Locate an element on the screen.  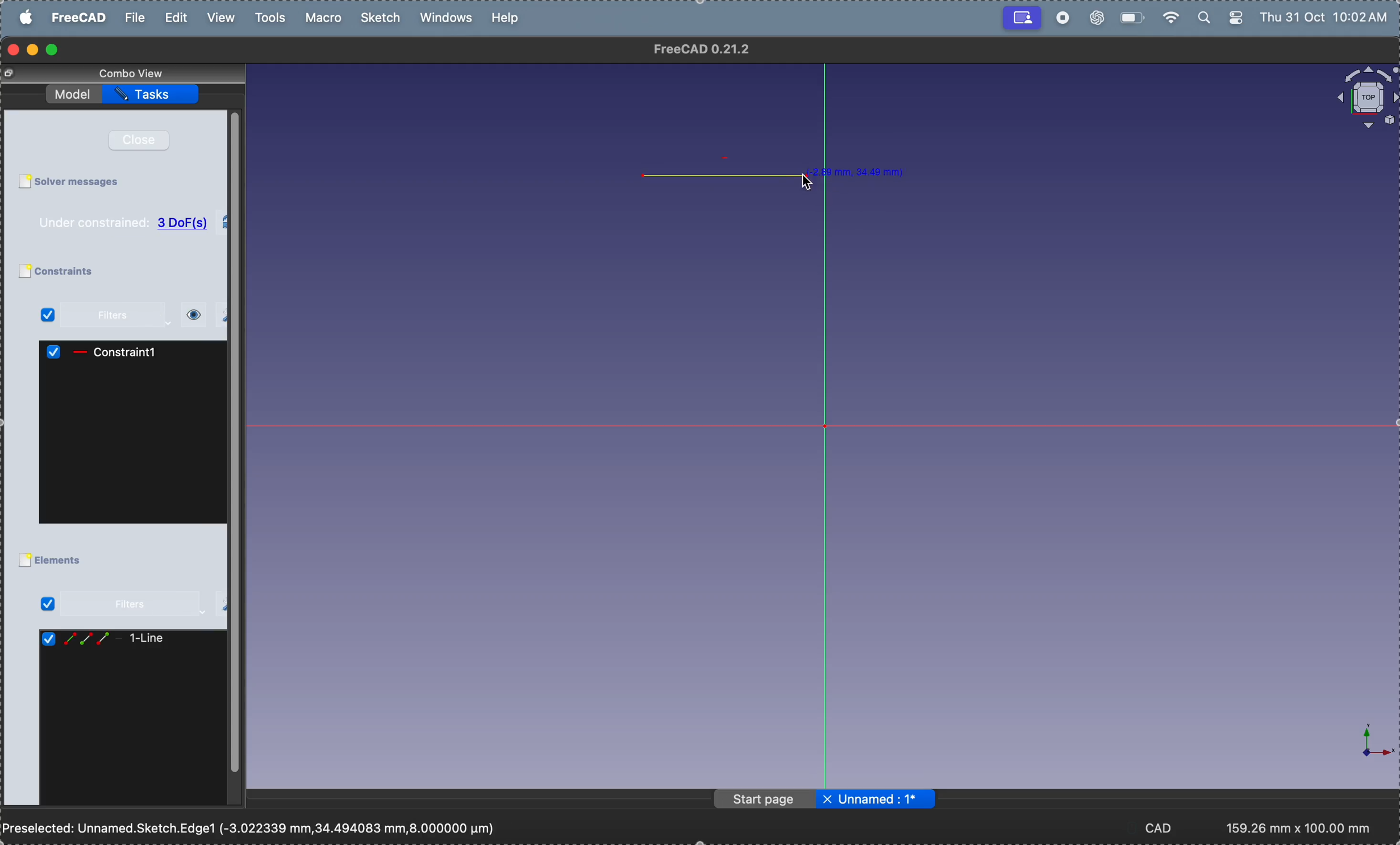
icon is located at coordinates (80, 353).